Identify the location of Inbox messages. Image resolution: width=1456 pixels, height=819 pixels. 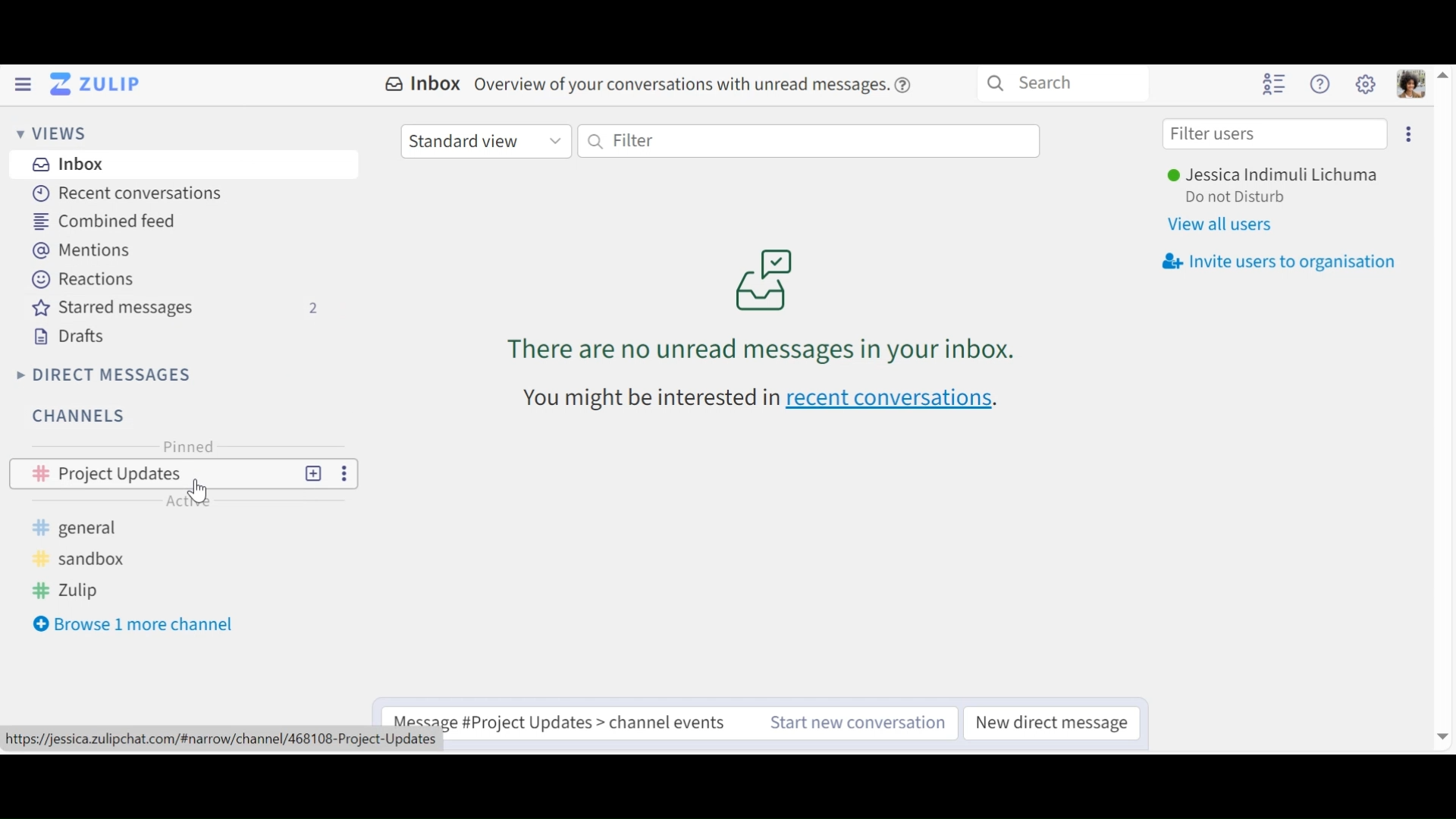
(761, 299).